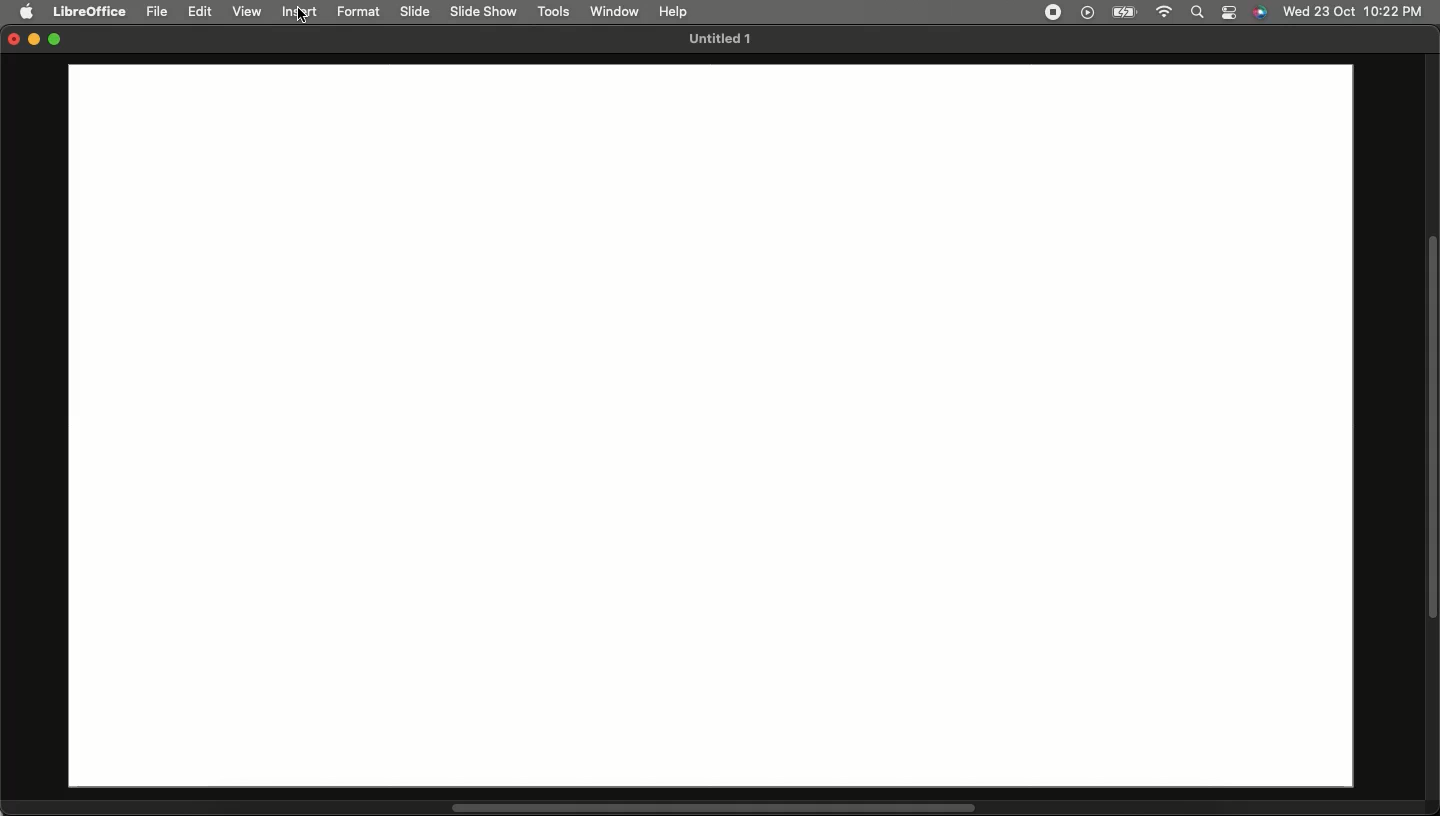 The width and height of the screenshot is (1440, 816). Describe the element at coordinates (417, 12) in the screenshot. I see `Slide` at that location.